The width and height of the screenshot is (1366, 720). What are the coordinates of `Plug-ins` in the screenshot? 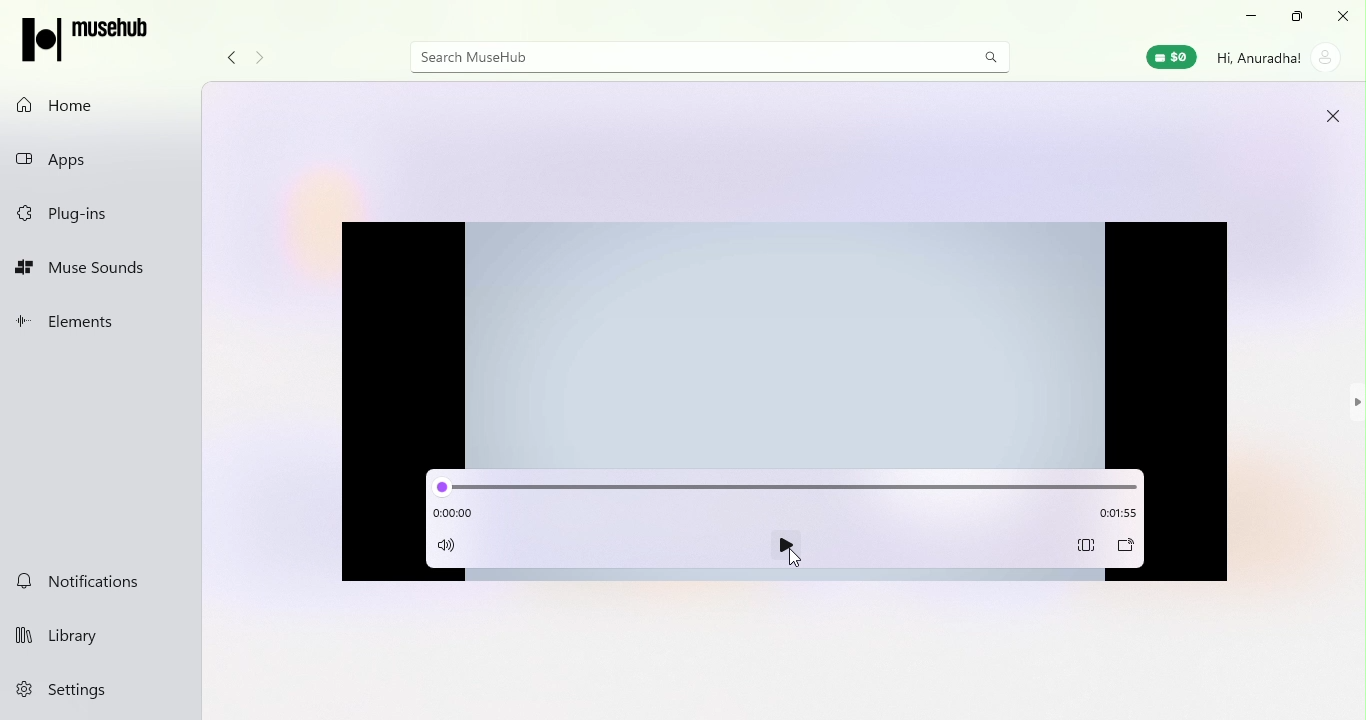 It's located at (100, 214).